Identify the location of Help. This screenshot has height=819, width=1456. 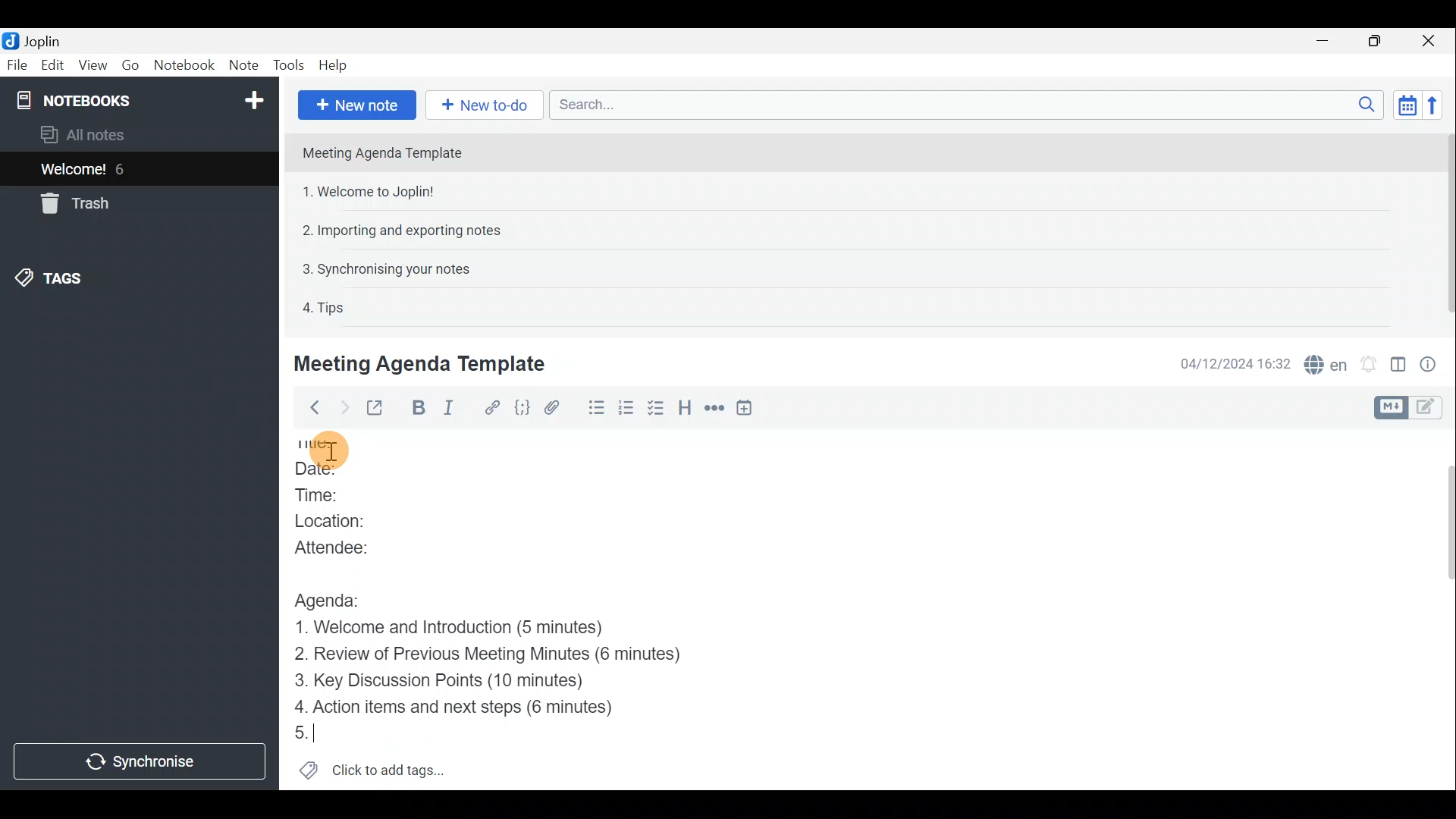
(336, 65).